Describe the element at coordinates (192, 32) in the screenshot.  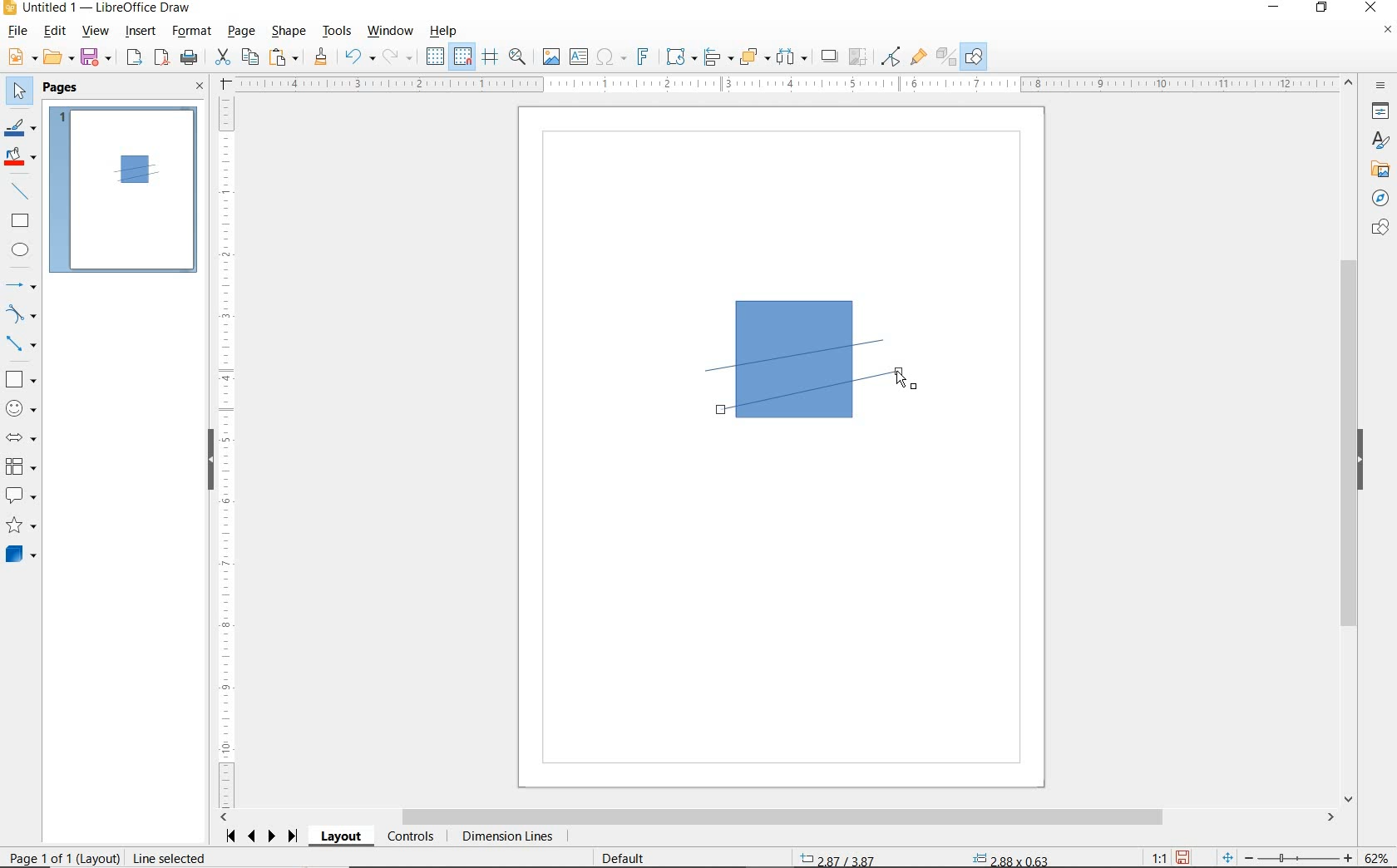
I see `FORMAT` at that location.